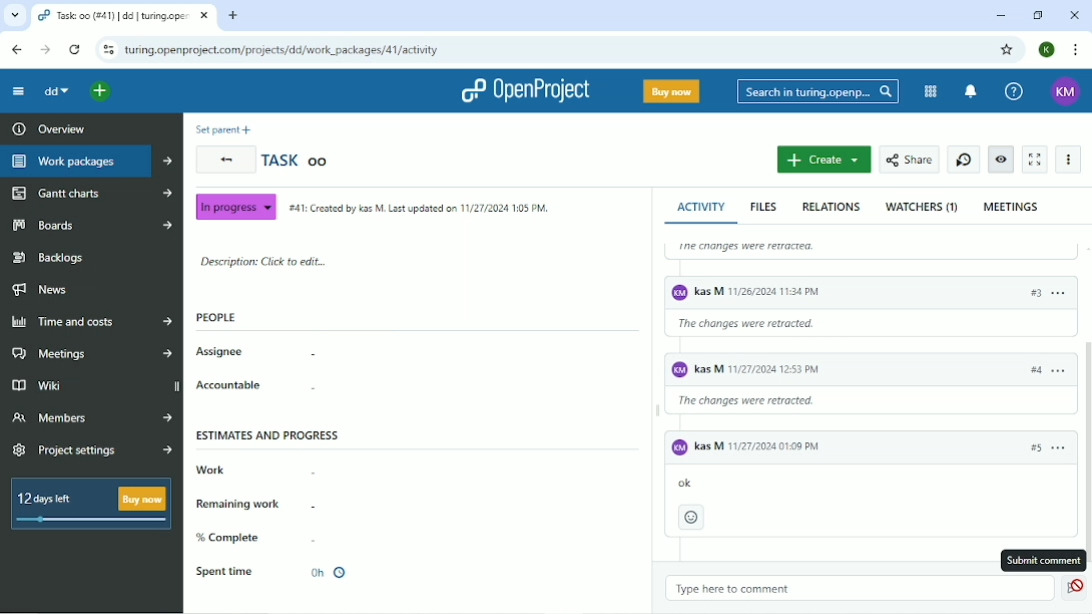 Image resolution: width=1092 pixels, height=614 pixels. I want to click on Members, so click(92, 416).